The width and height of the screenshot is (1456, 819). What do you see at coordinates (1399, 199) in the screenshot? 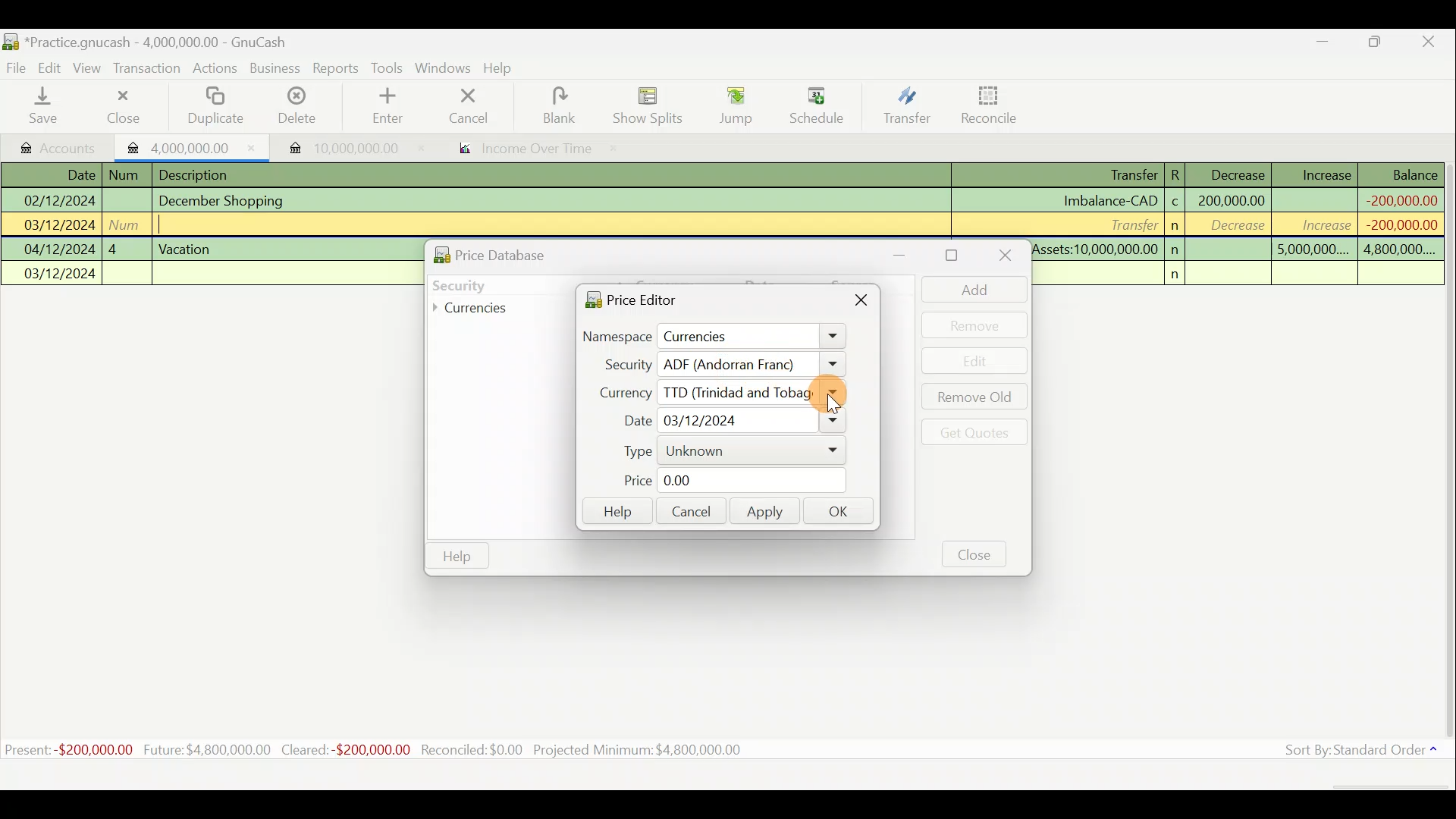
I see `-200,000,000` at bounding box center [1399, 199].